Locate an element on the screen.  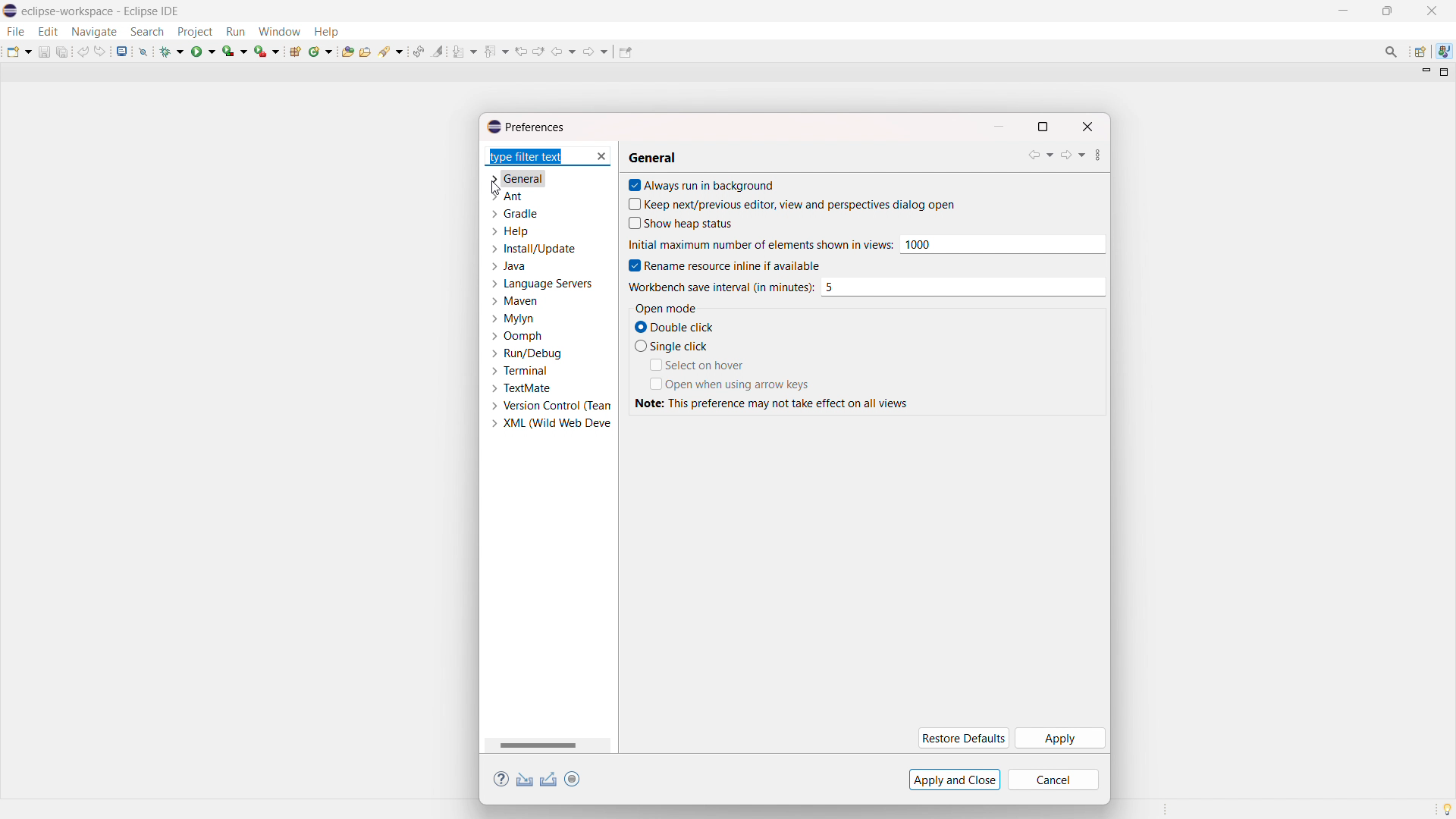
project is located at coordinates (194, 32).